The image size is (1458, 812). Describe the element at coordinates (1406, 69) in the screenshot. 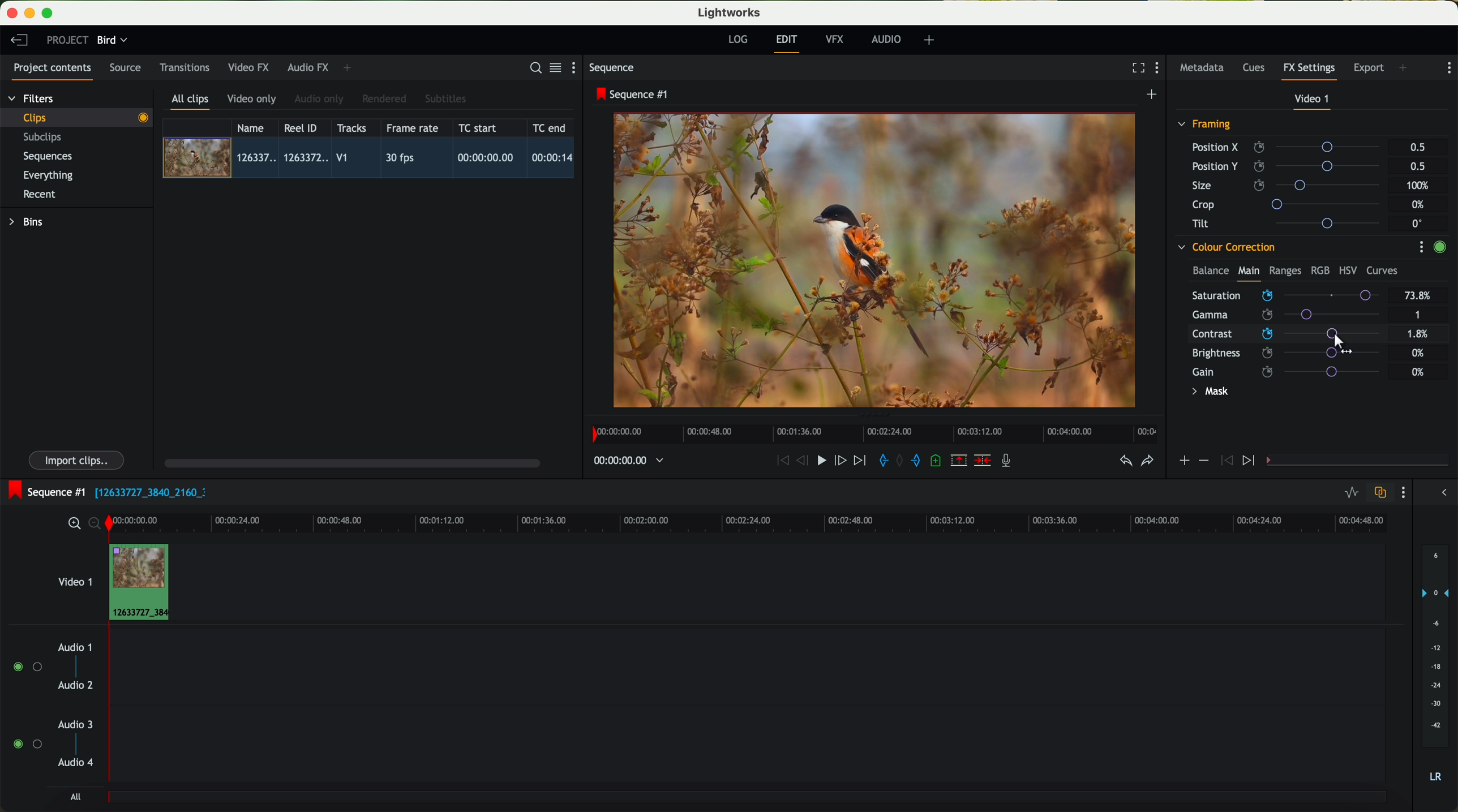

I see `add panel` at that location.